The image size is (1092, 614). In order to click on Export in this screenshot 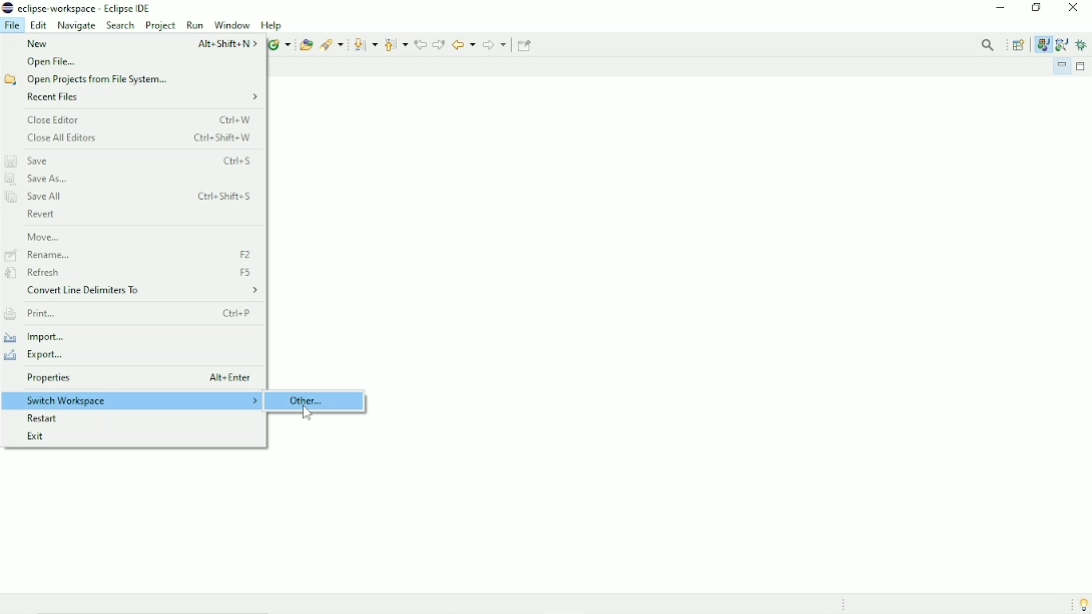, I will do `click(40, 356)`.